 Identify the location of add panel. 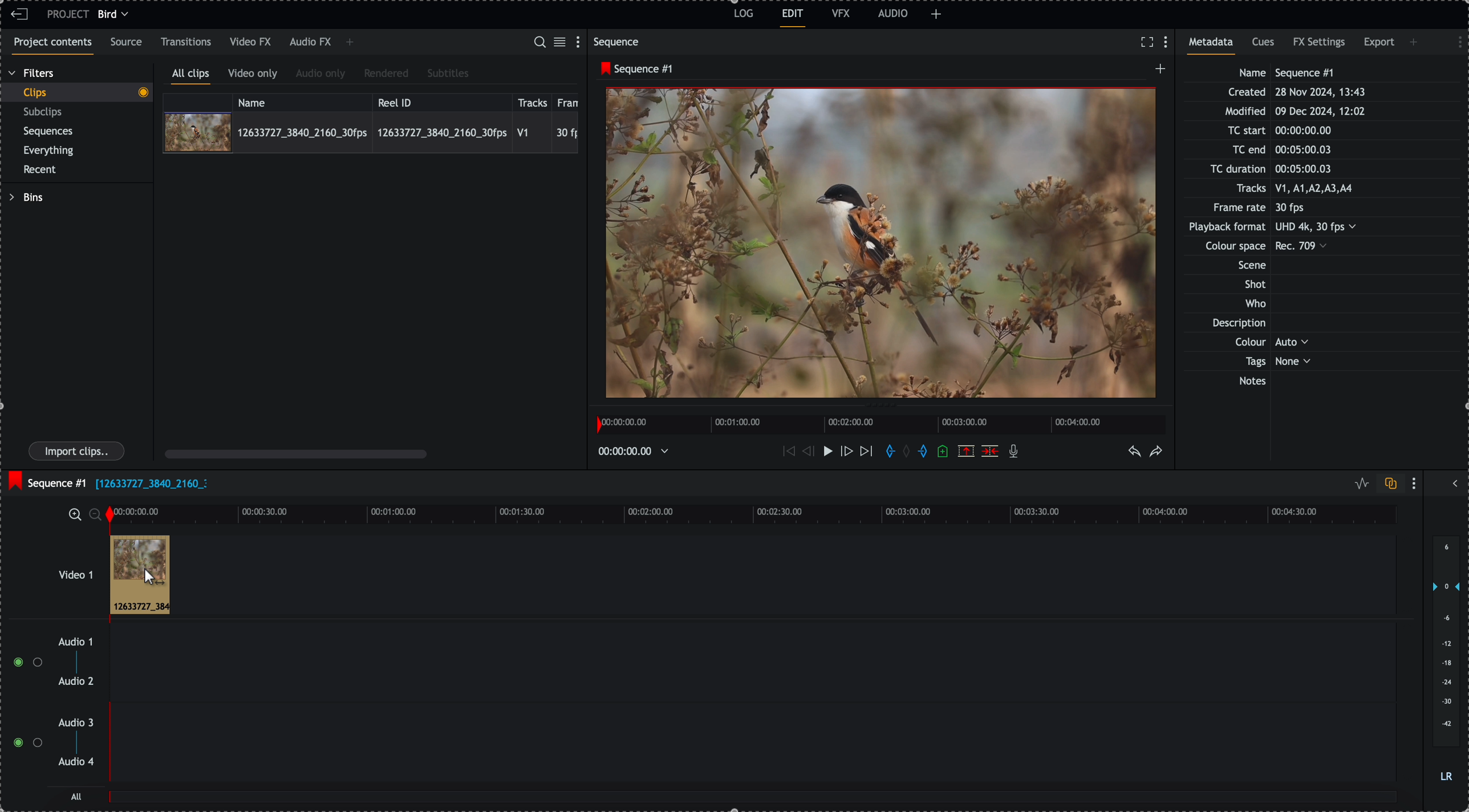
(1415, 42).